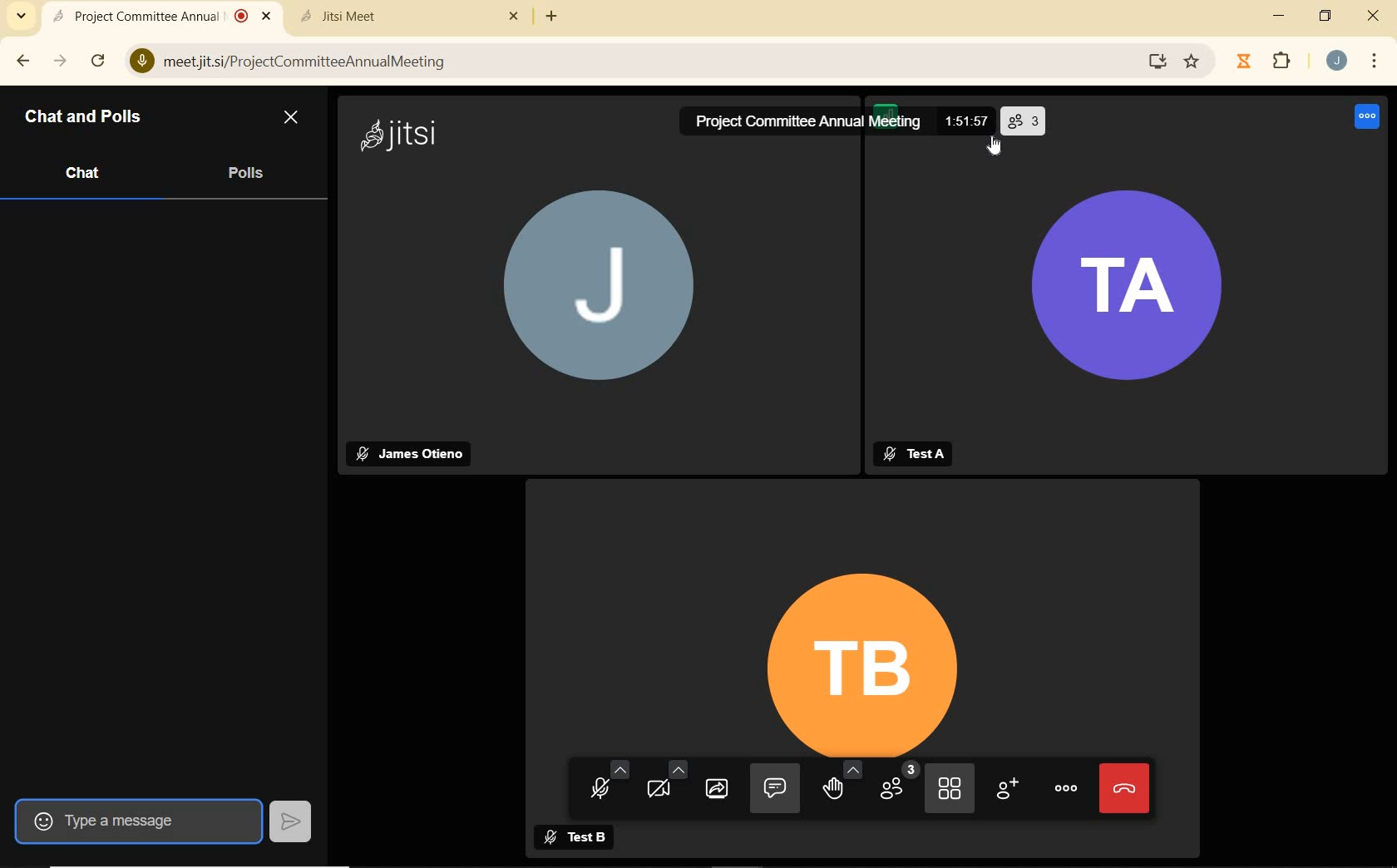 The width and height of the screenshot is (1397, 868). I want to click on participant's Profile Picture, so click(591, 297).